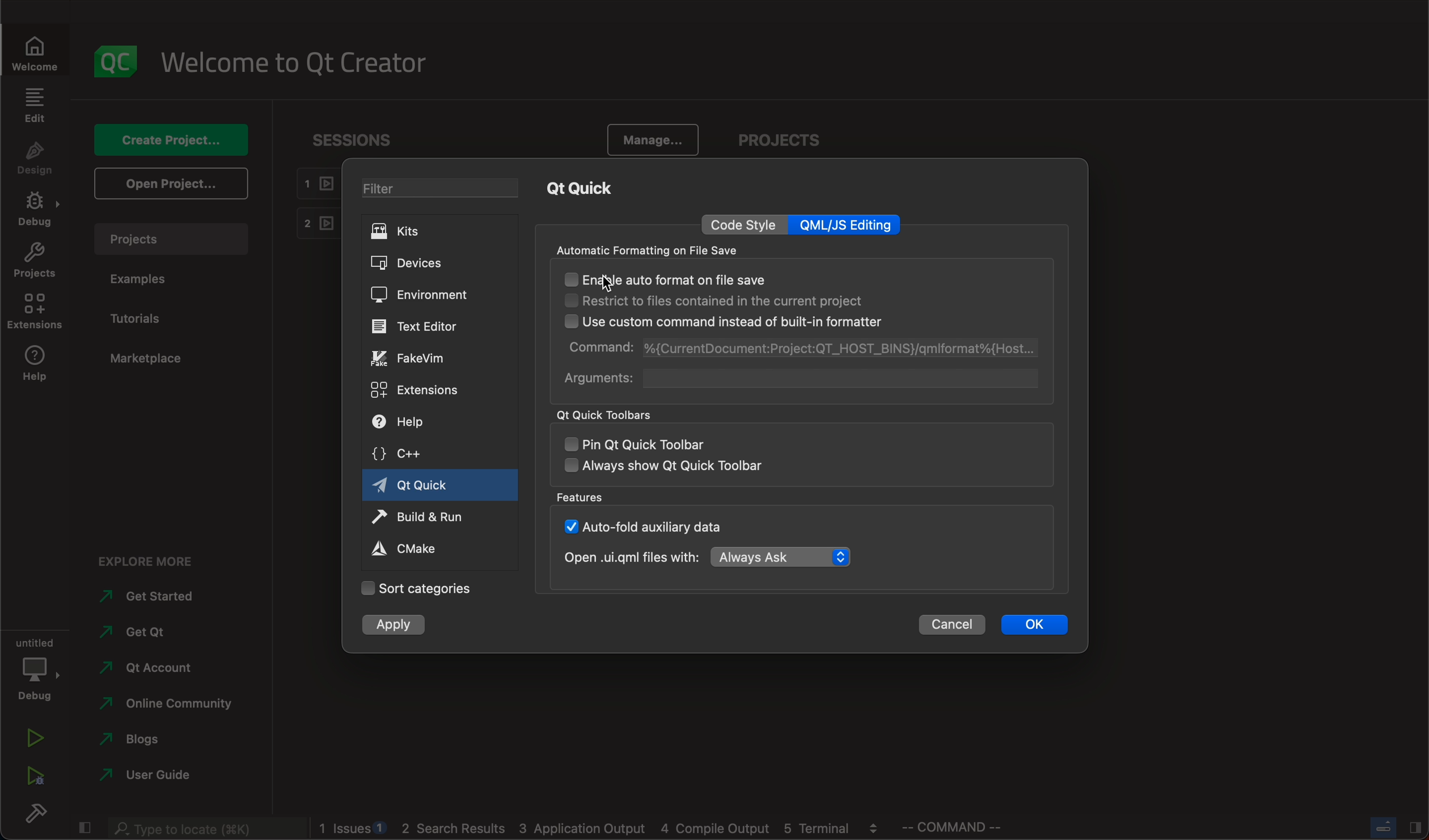 The width and height of the screenshot is (1429, 840). Describe the element at coordinates (415, 550) in the screenshot. I see `cmake` at that location.